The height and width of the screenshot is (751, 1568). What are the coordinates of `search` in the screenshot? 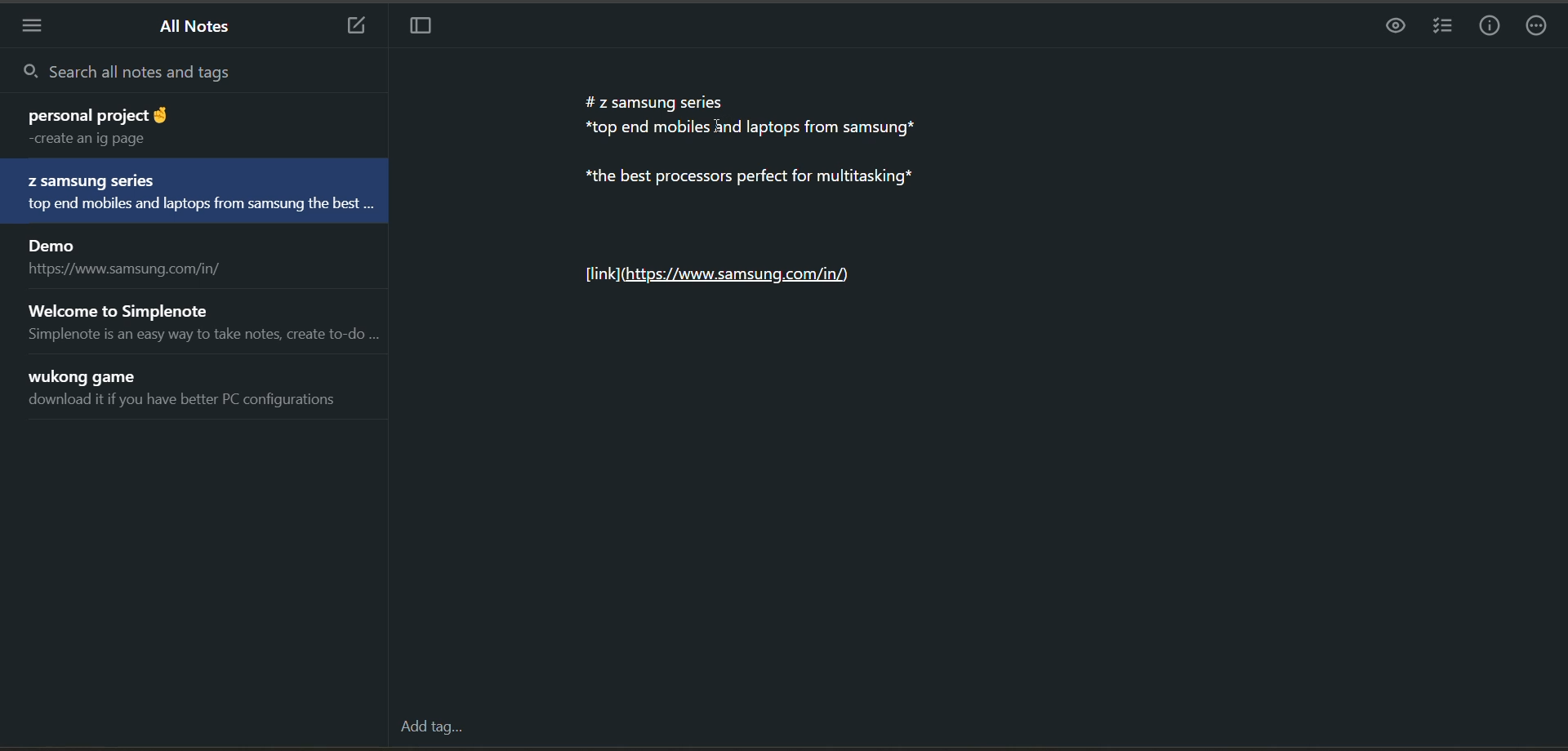 It's located at (192, 71).